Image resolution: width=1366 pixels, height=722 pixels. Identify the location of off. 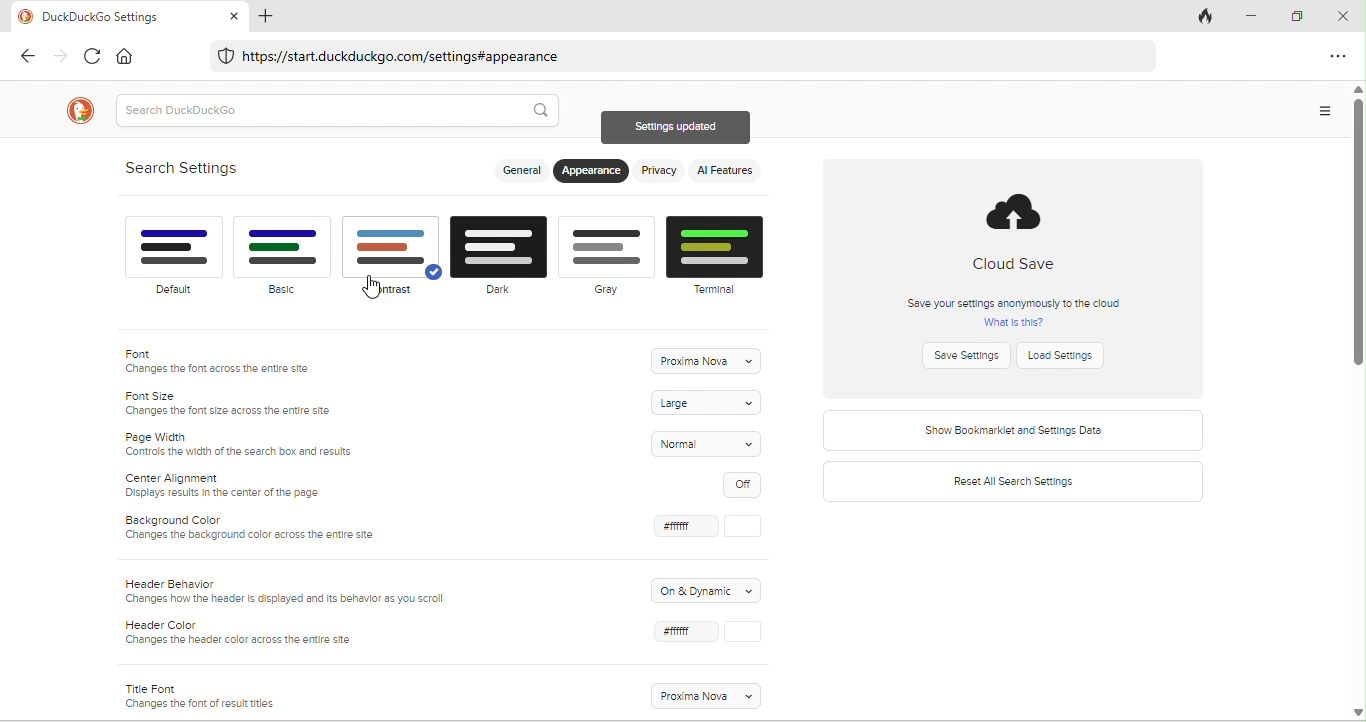
(746, 484).